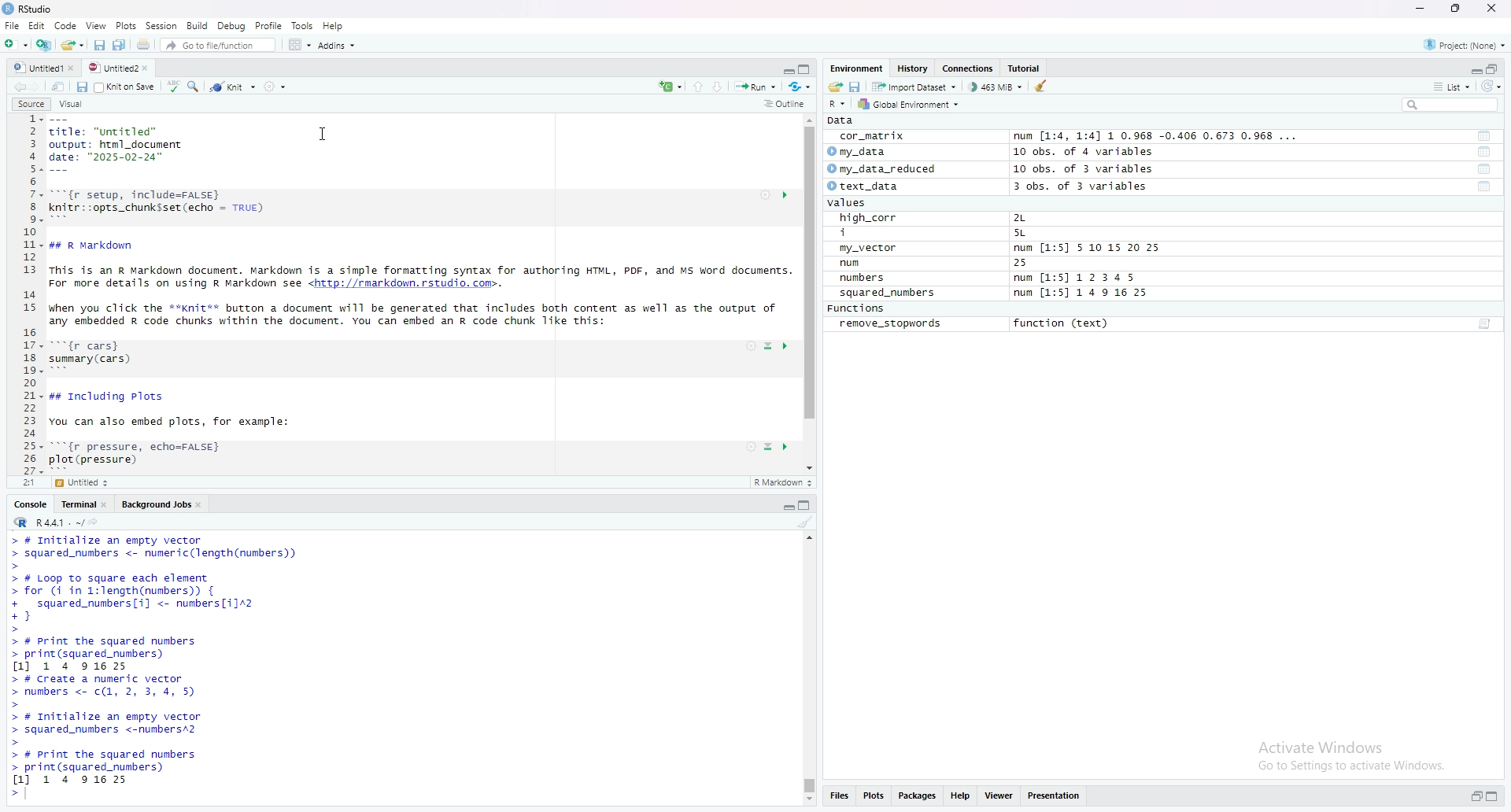 This screenshot has height=812, width=1511. I want to click on New File, so click(15, 45).